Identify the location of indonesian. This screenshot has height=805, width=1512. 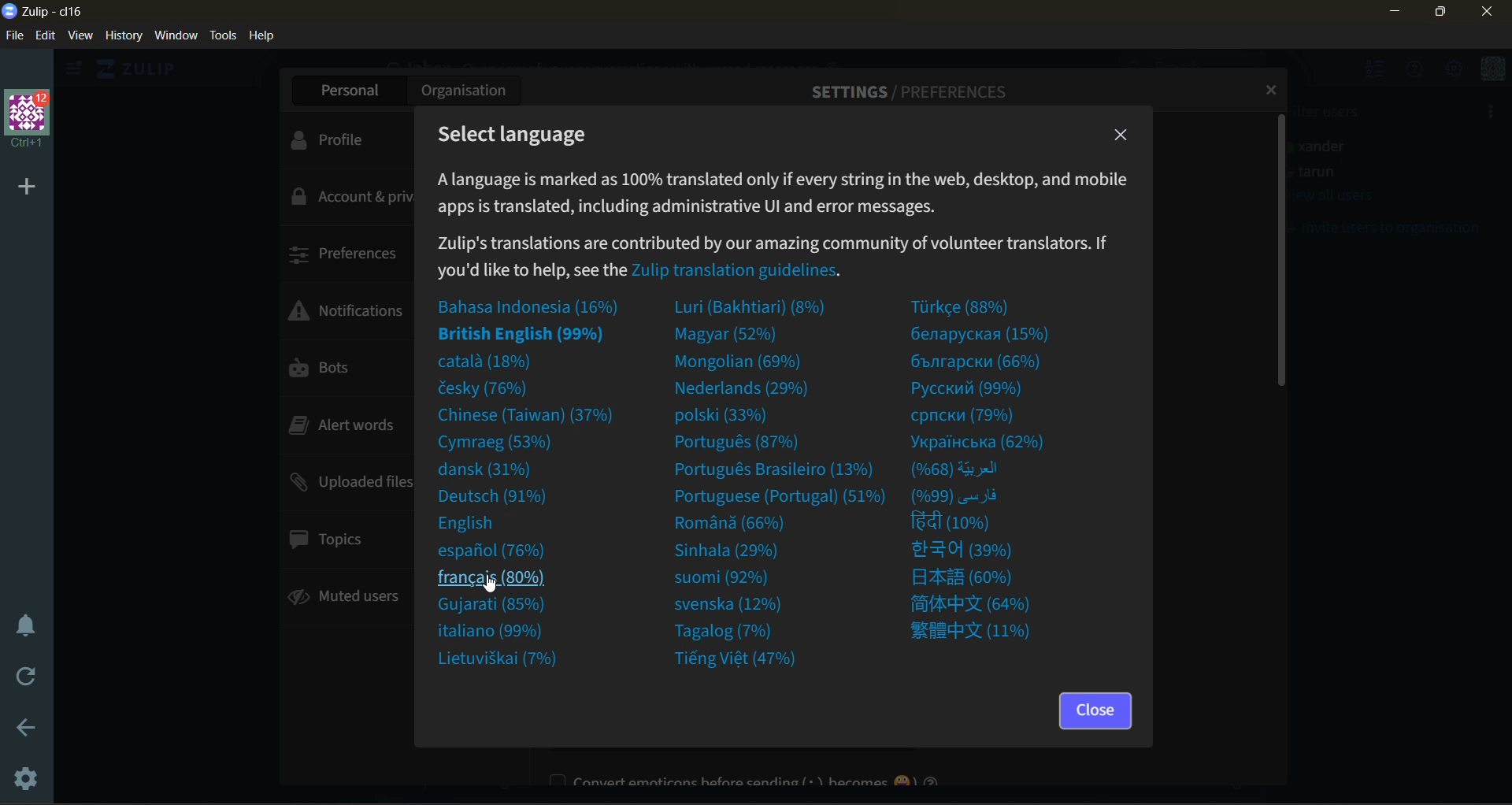
(530, 306).